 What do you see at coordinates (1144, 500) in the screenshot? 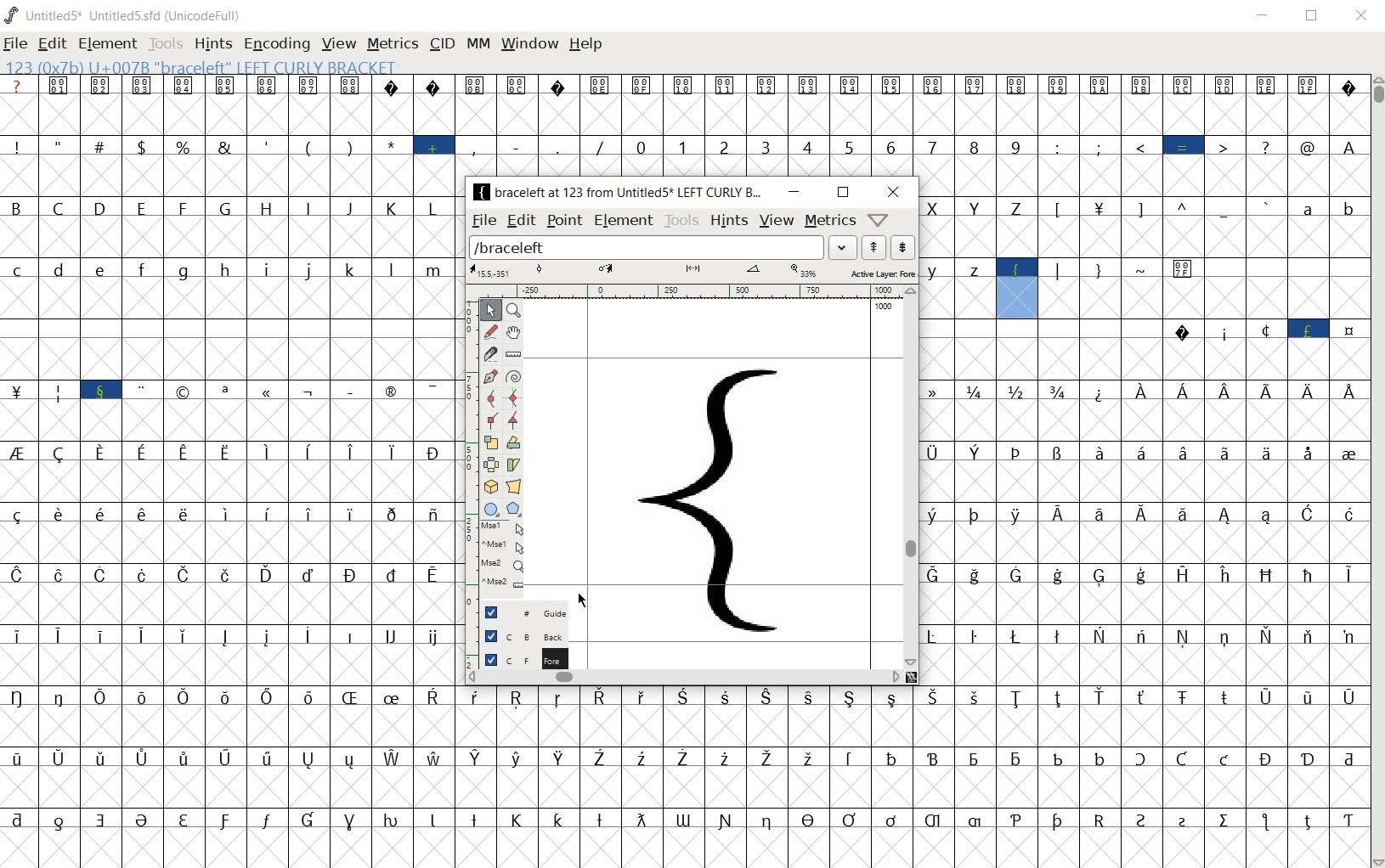
I see `glyph characters` at bounding box center [1144, 500].